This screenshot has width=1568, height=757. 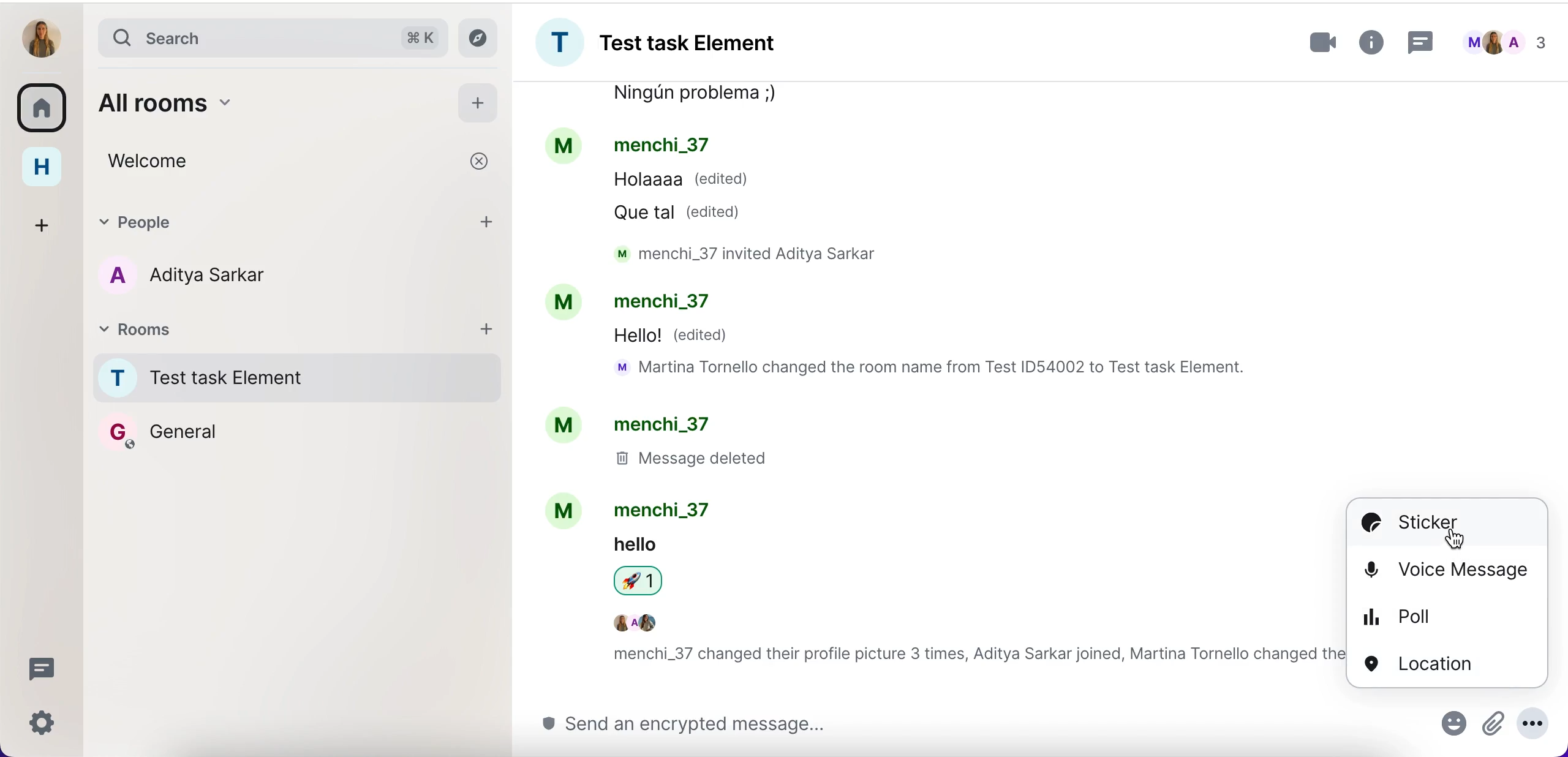 What do you see at coordinates (229, 101) in the screenshot?
I see `all rooms` at bounding box center [229, 101].